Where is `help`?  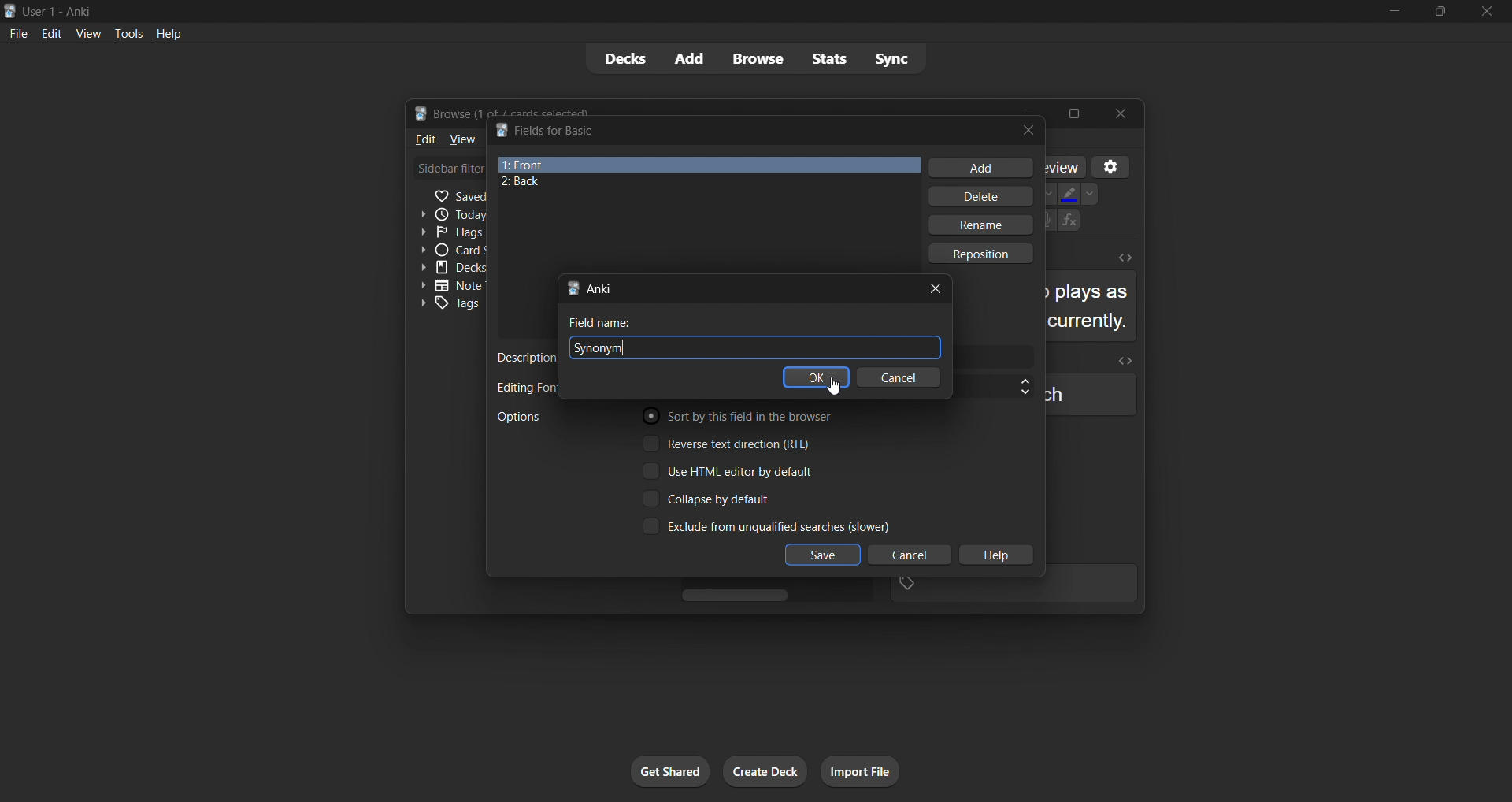
help is located at coordinates (170, 34).